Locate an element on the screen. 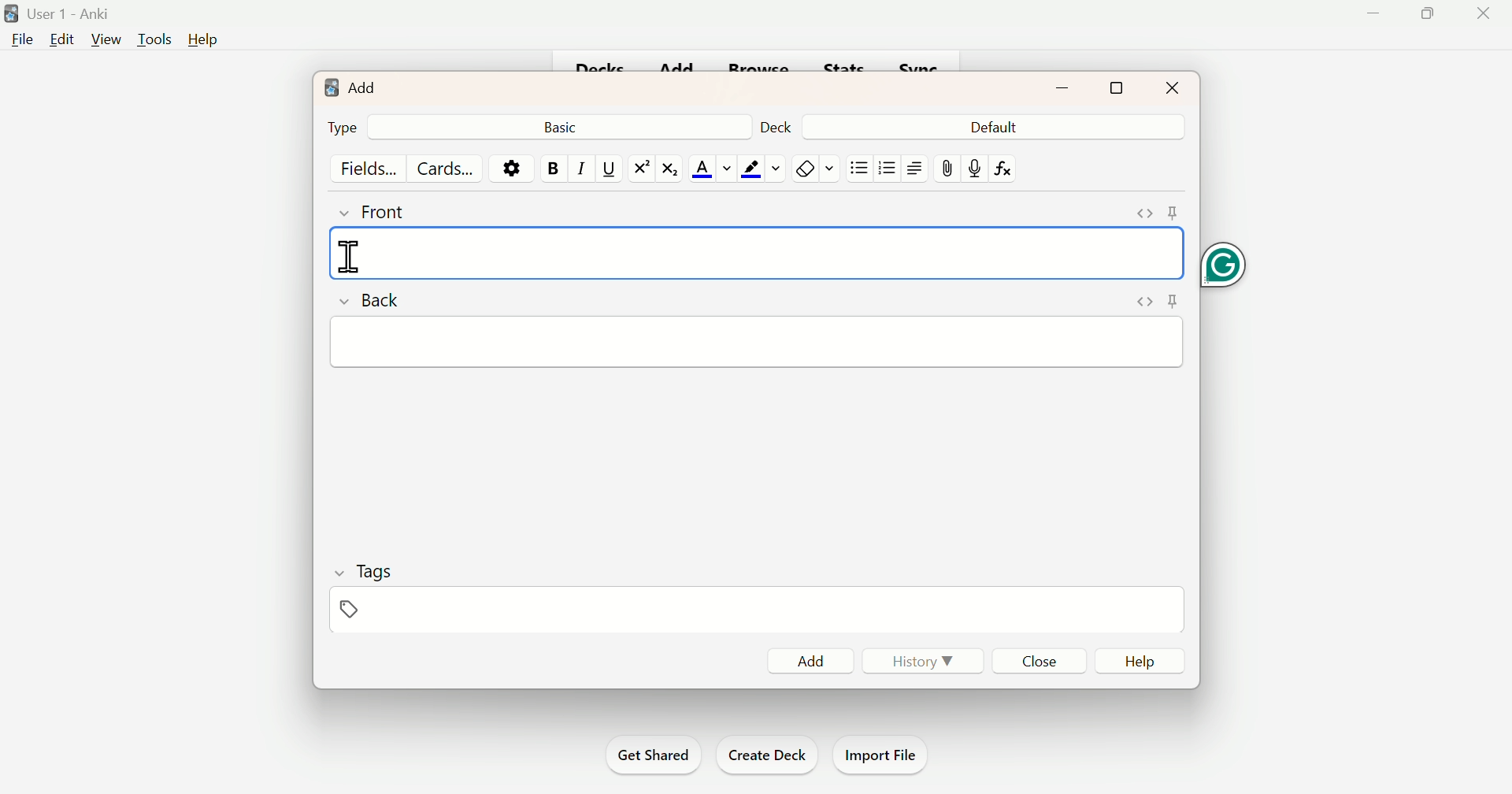 This screenshot has height=794, width=1512. Help is located at coordinates (1143, 659).